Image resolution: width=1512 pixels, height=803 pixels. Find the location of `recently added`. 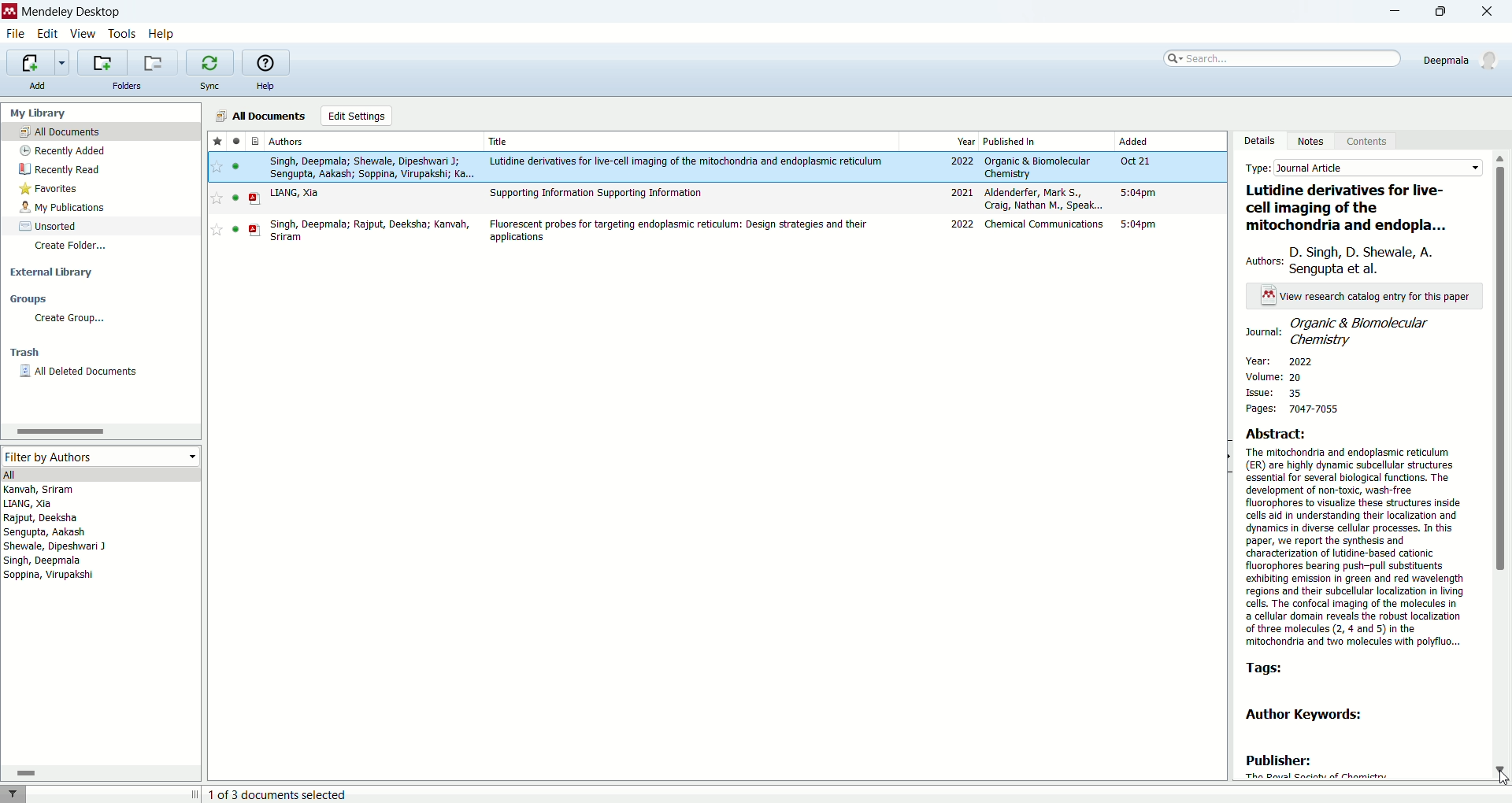

recently added is located at coordinates (61, 150).